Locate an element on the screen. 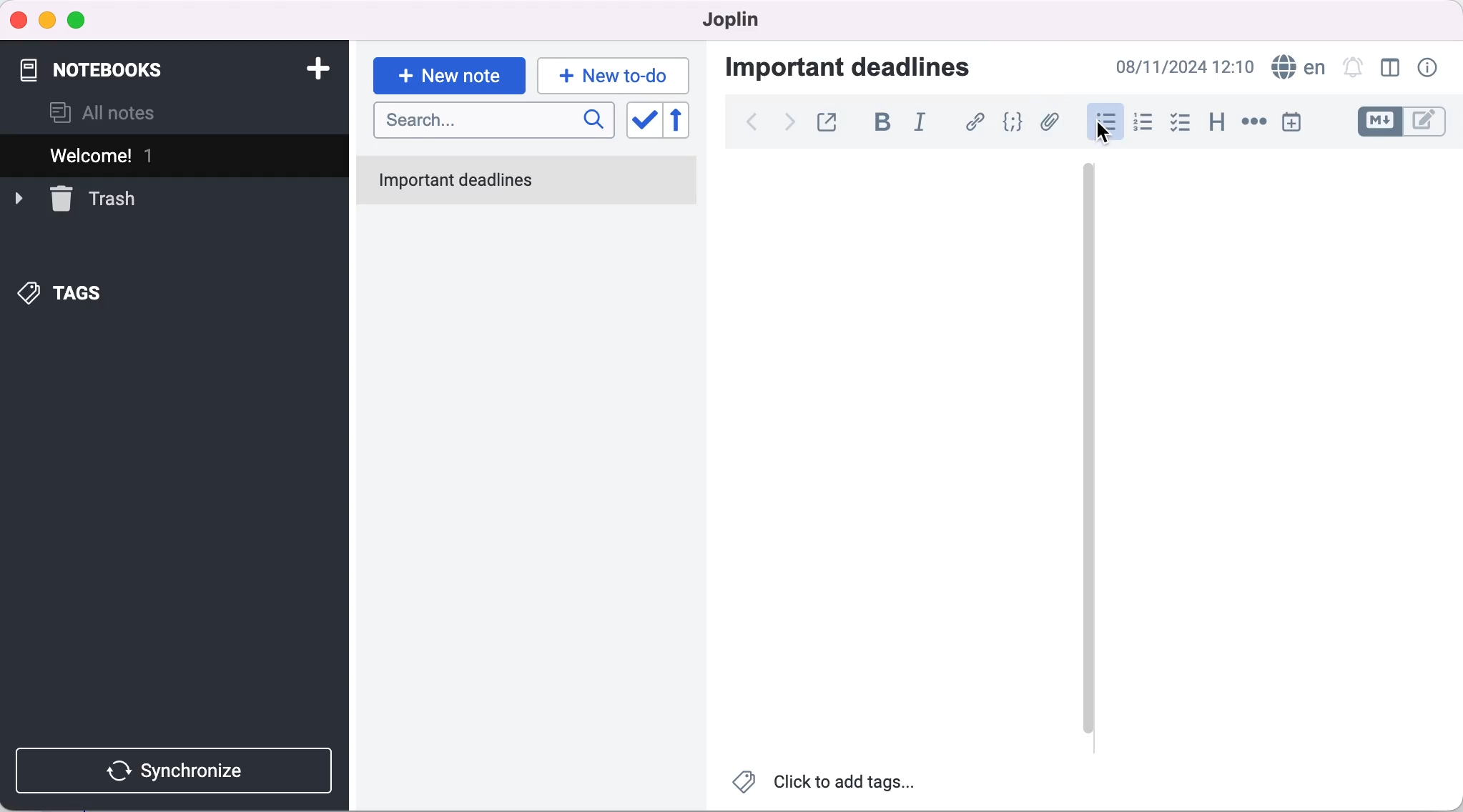 The height and width of the screenshot is (812, 1463). checkbox is located at coordinates (1181, 124).